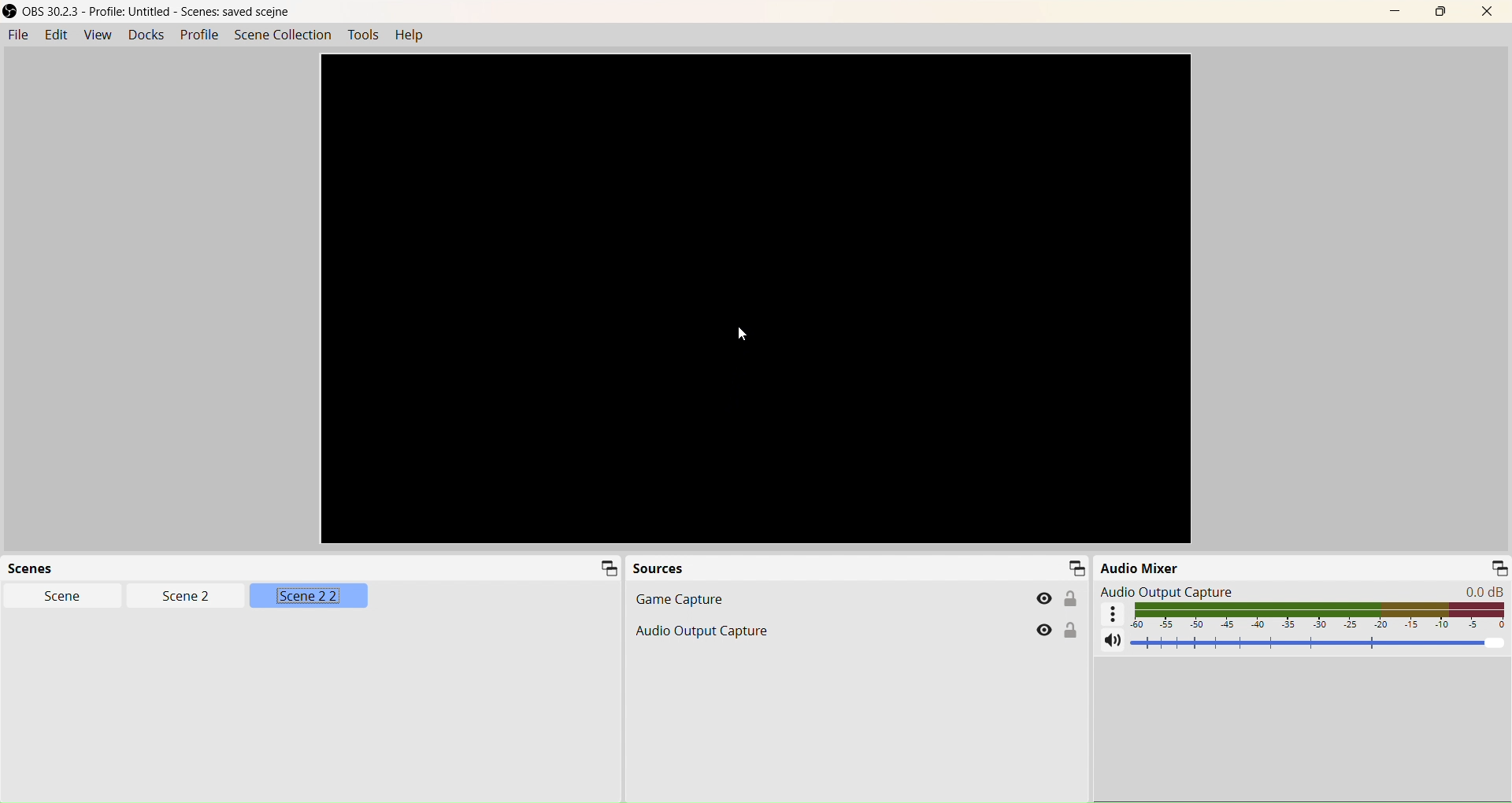 The image size is (1512, 803). Describe the element at coordinates (170, 598) in the screenshot. I see `Cursor` at that location.